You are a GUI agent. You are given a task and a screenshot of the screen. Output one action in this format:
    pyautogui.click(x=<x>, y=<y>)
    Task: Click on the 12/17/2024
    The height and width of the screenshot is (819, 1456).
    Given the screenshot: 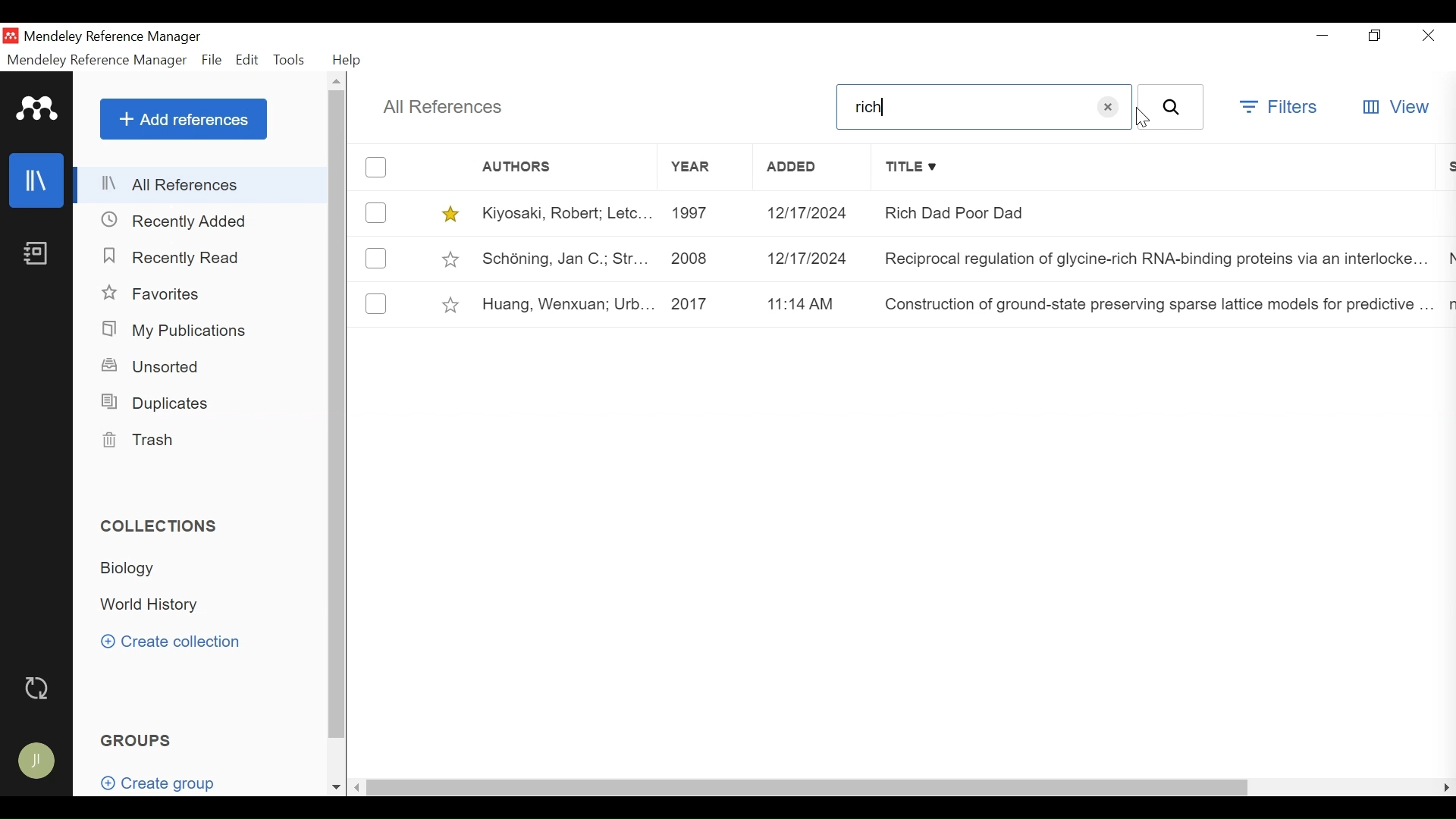 What is the action you would take?
    pyautogui.click(x=811, y=257)
    